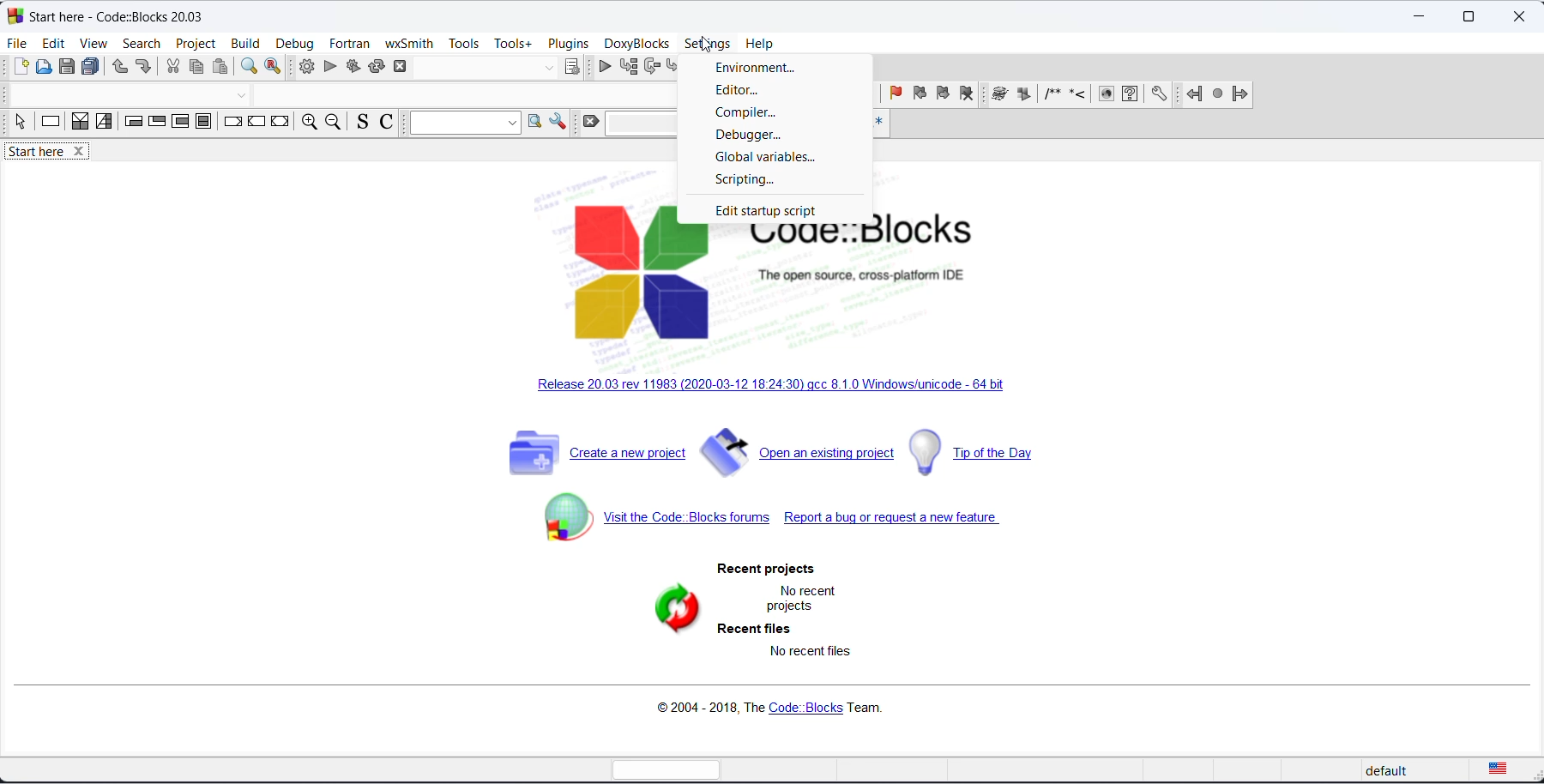  What do you see at coordinates (244, 94) in the screenshot?
I see `dropdown` at bounding box center [244, 94].